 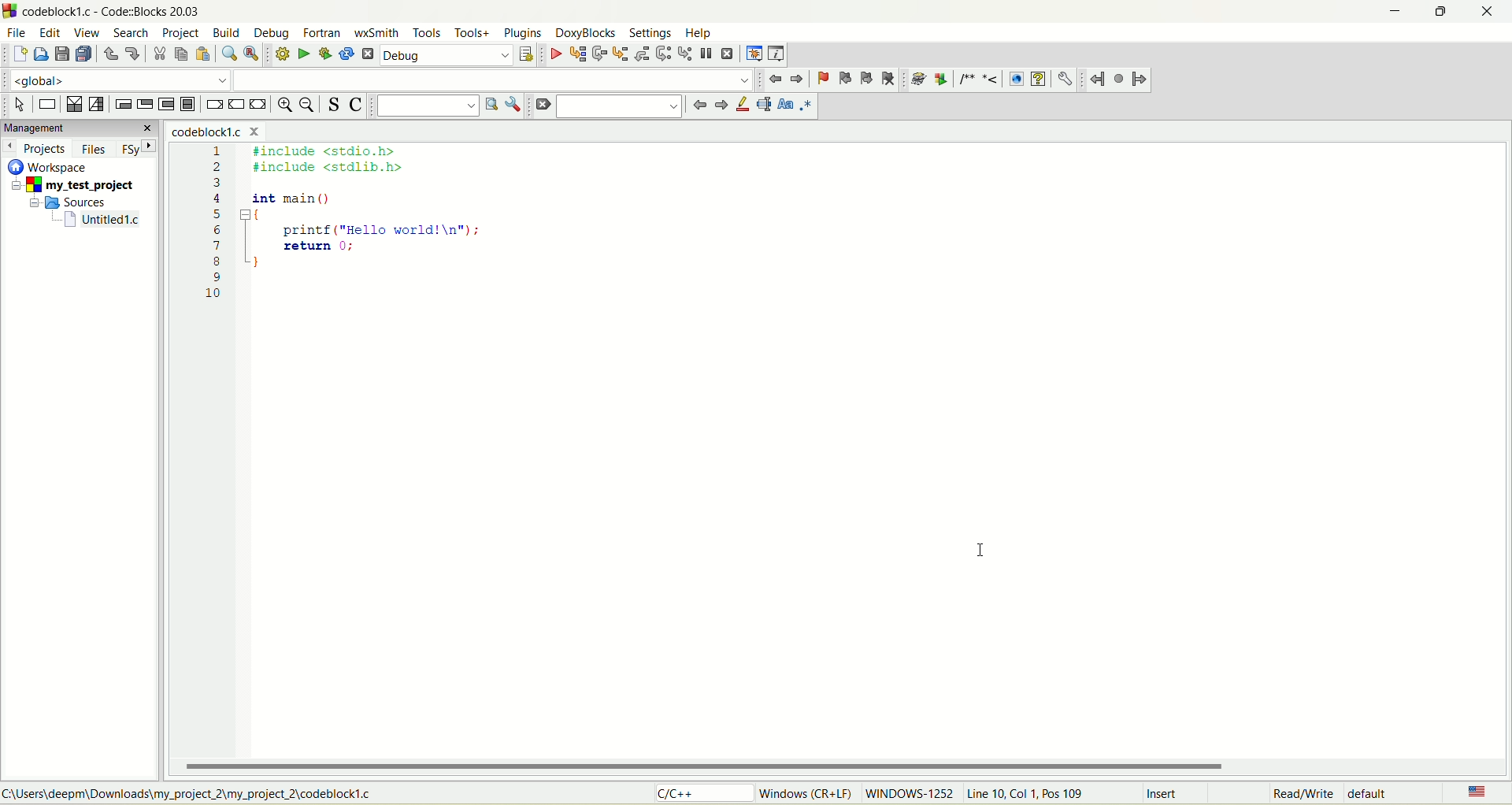 I want to click on help, so click(x=699, y=34).